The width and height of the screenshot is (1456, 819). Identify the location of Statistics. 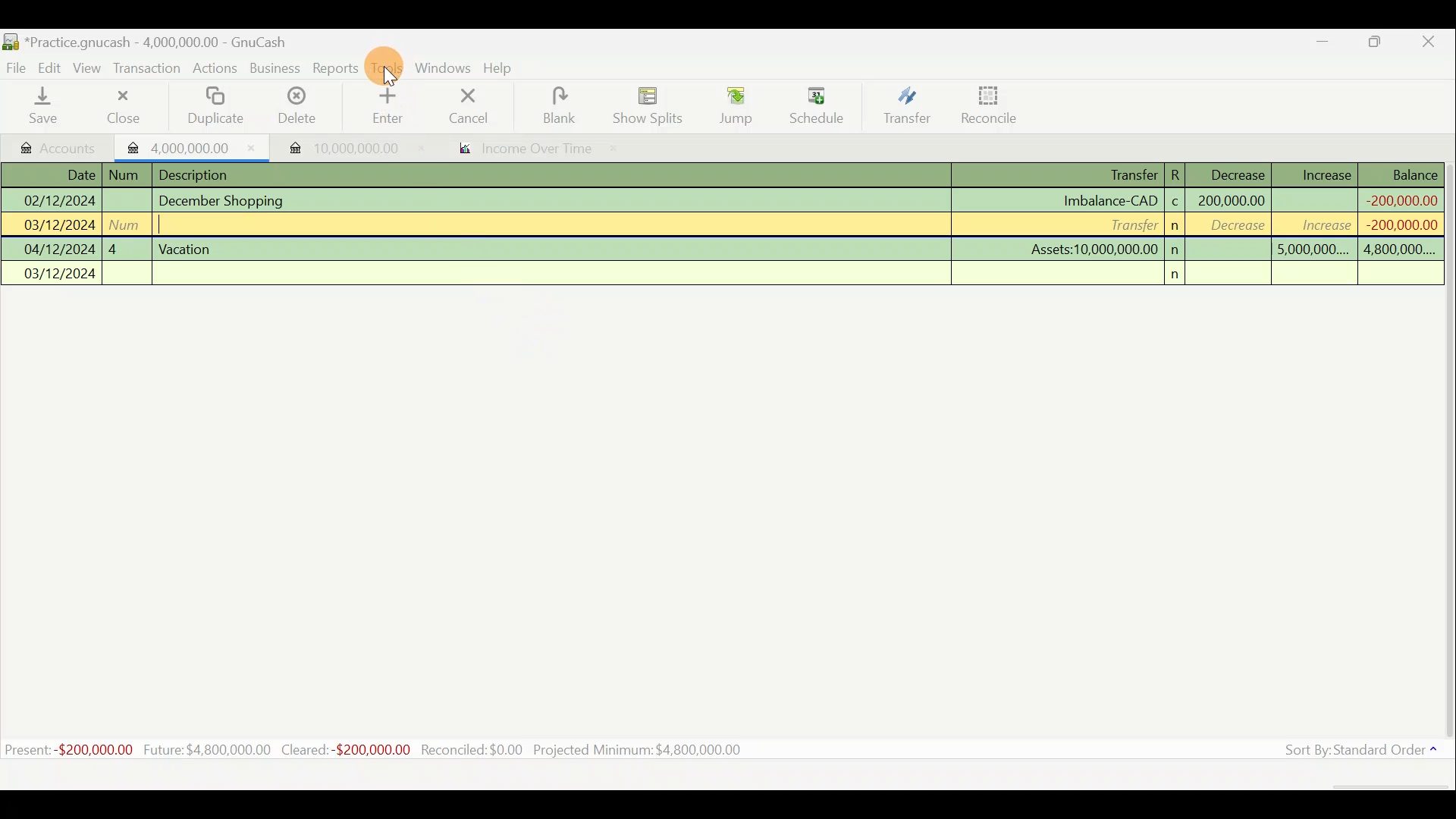
(399, 750).